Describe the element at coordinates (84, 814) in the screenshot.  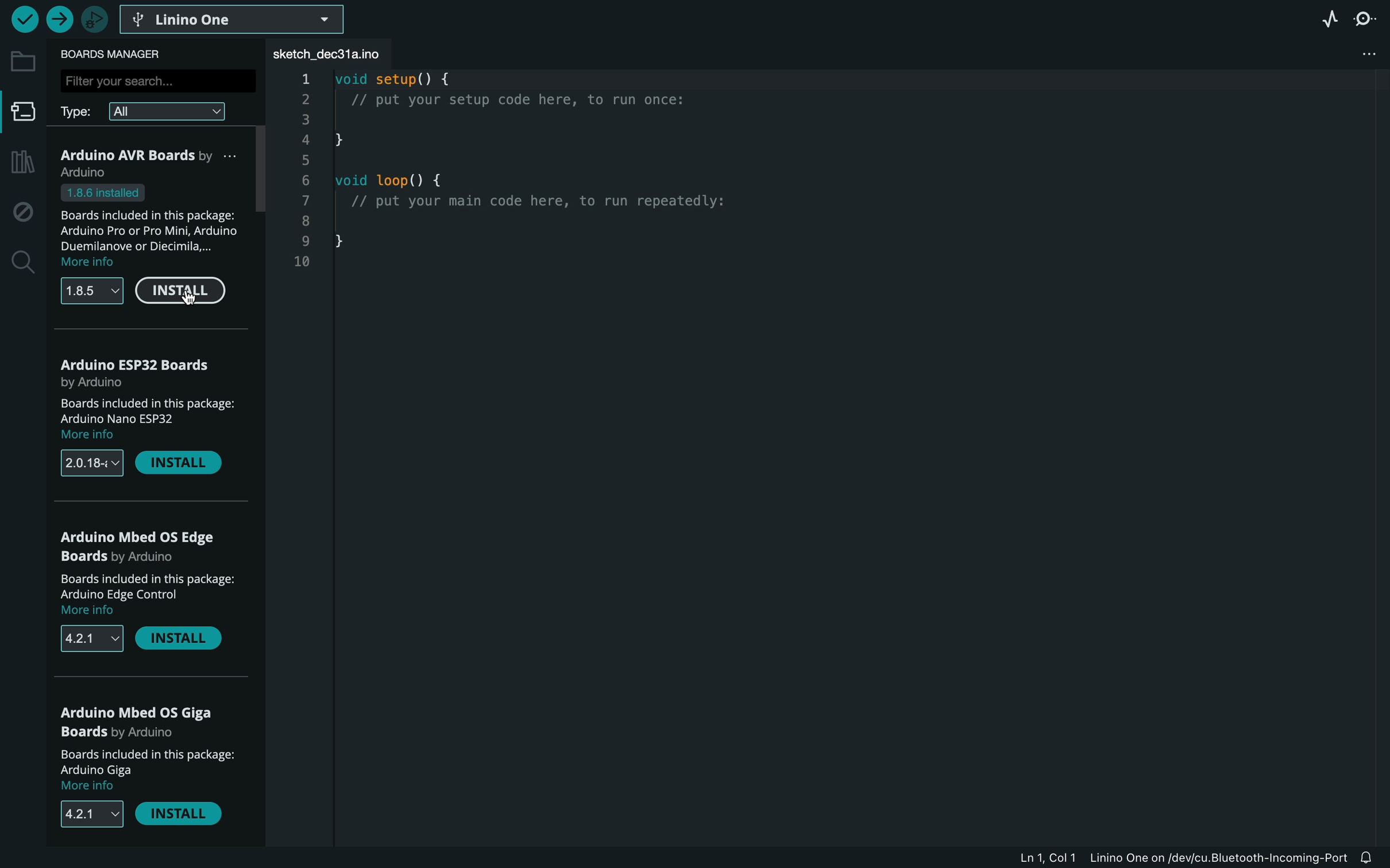
I see `versions` at that location.